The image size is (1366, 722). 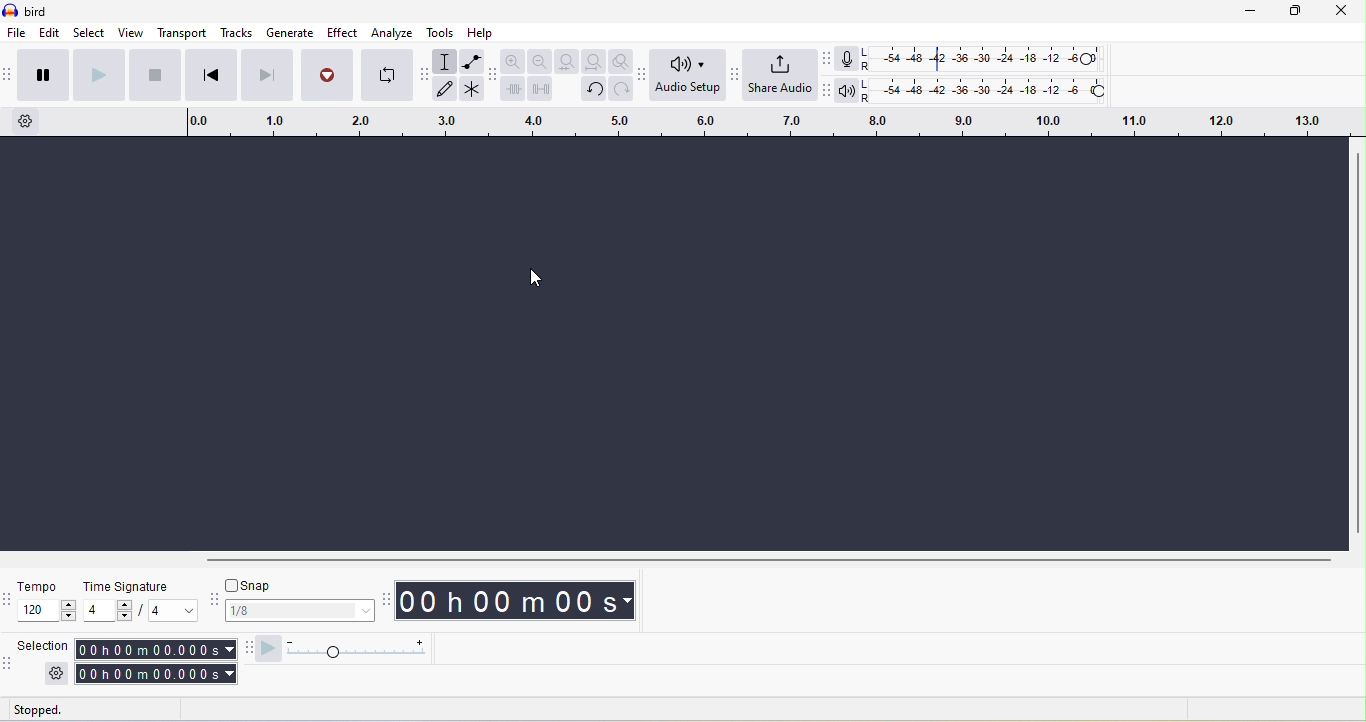 I want to click on selection, so click(x=46, y=647).